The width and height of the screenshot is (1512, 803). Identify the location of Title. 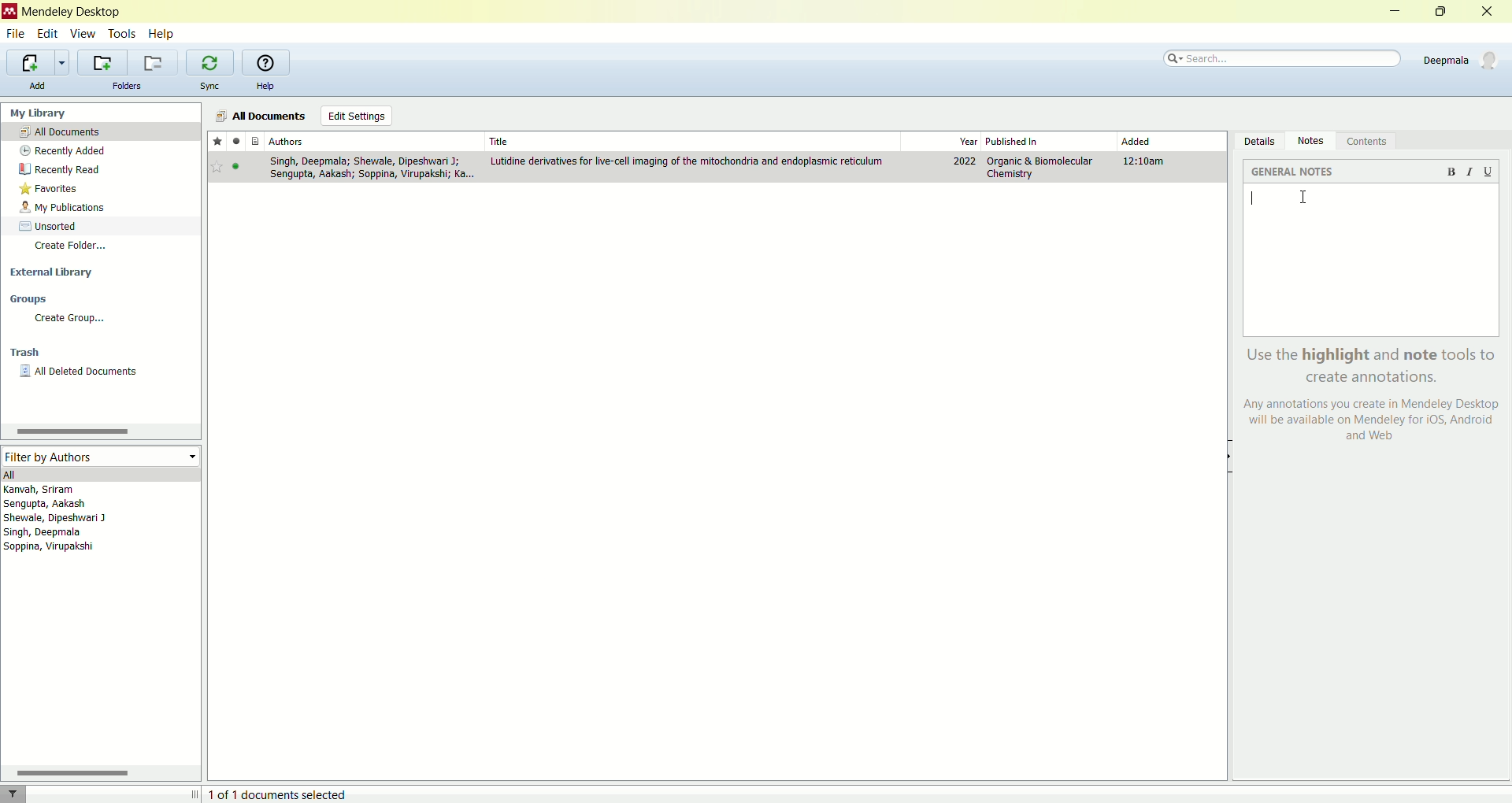
(689, 139).